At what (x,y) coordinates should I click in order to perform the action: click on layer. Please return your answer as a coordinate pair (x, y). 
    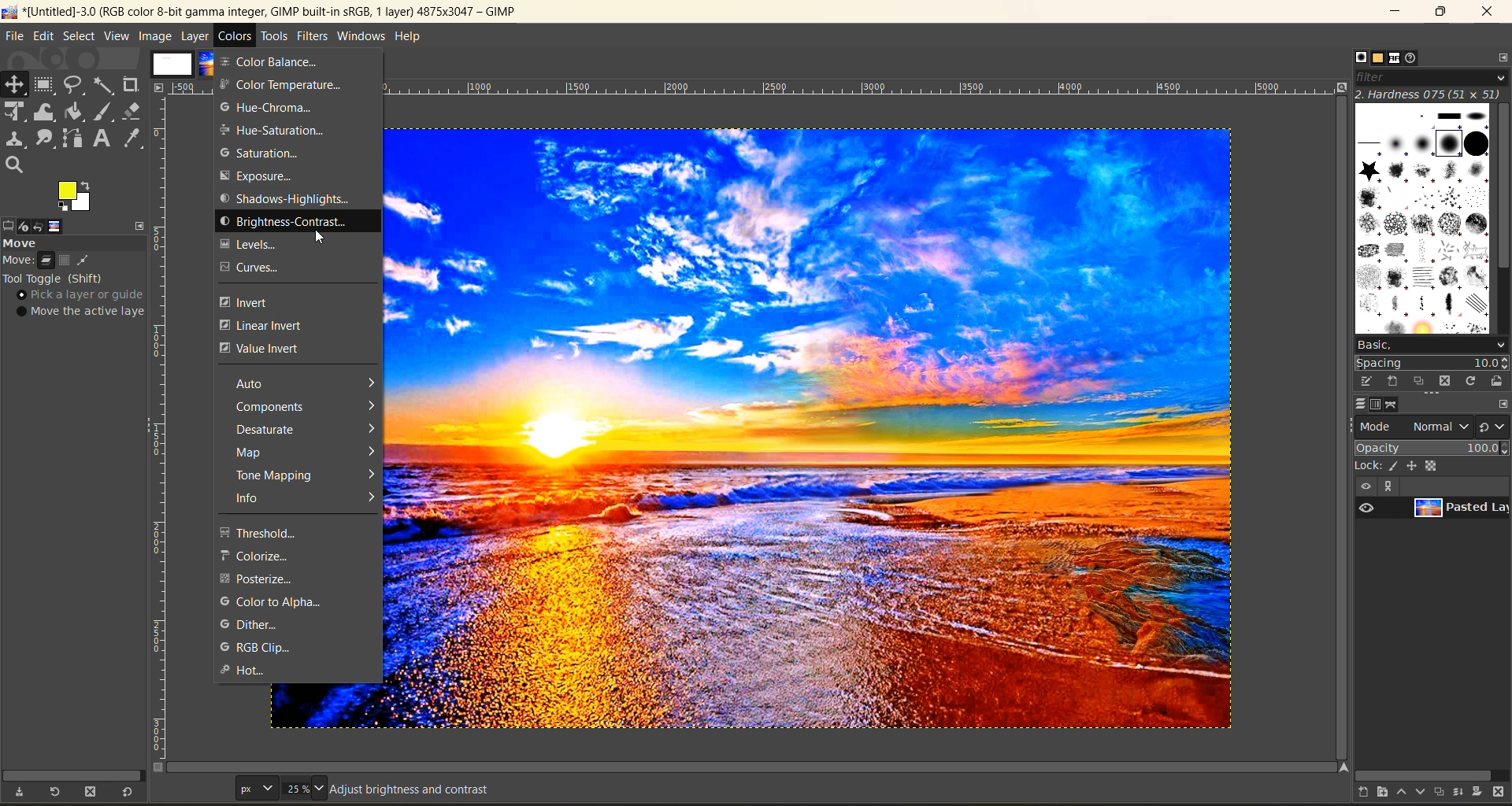
    Looking at the image, I should click on (1460, 508).